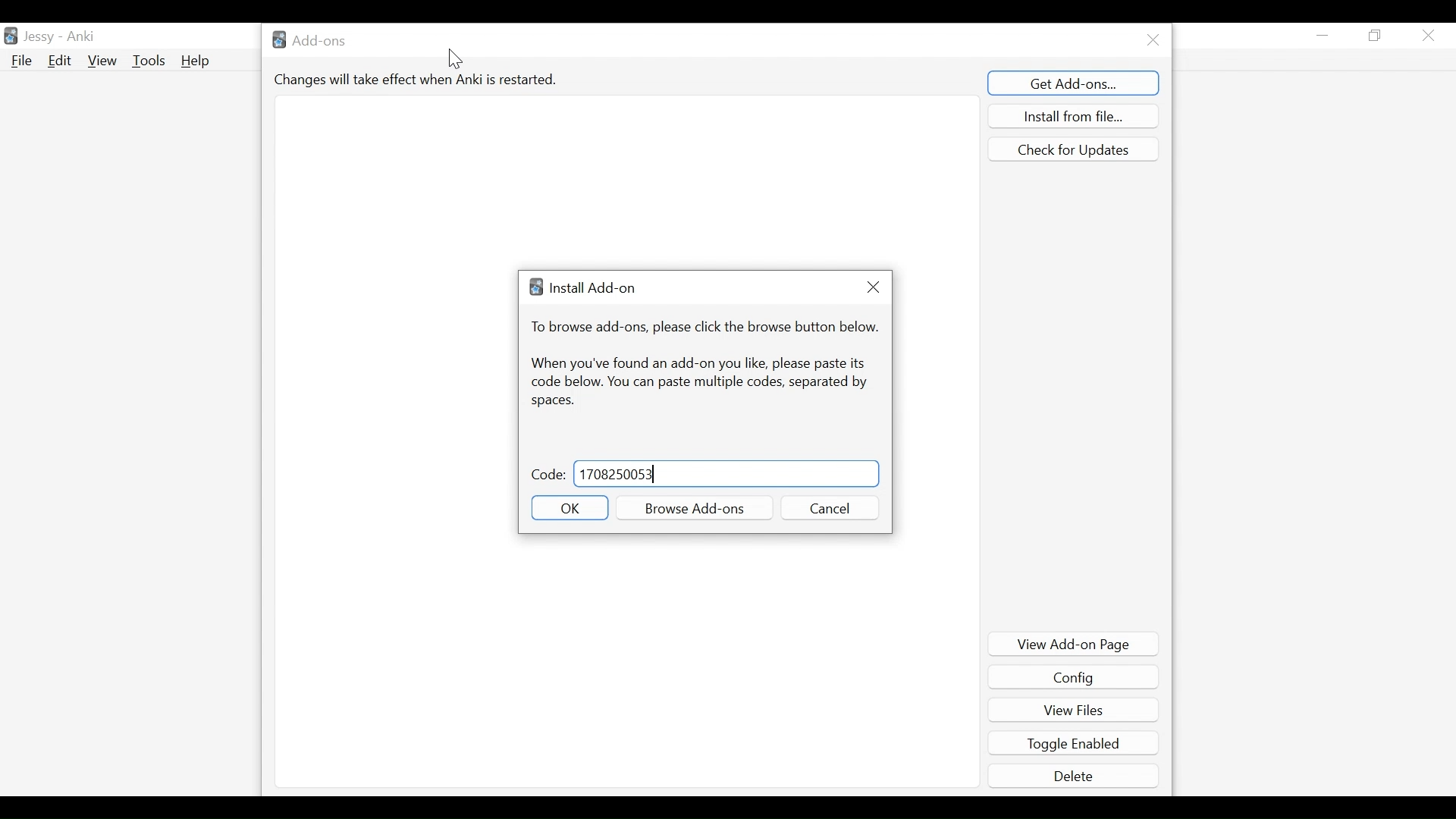 This screenshot has width=1456, height=819. I want to click on code below. You can paste multiple codes, separated by, so click(698, 384).